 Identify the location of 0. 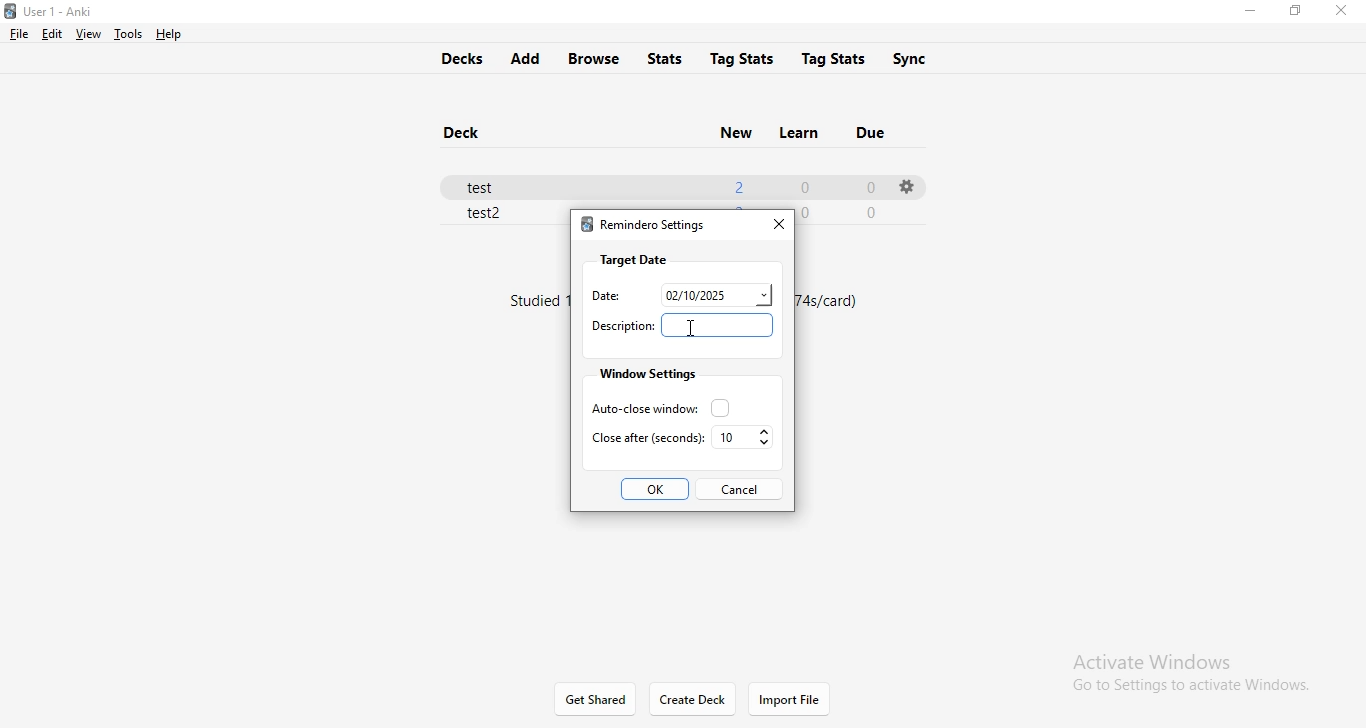
(804, 185).